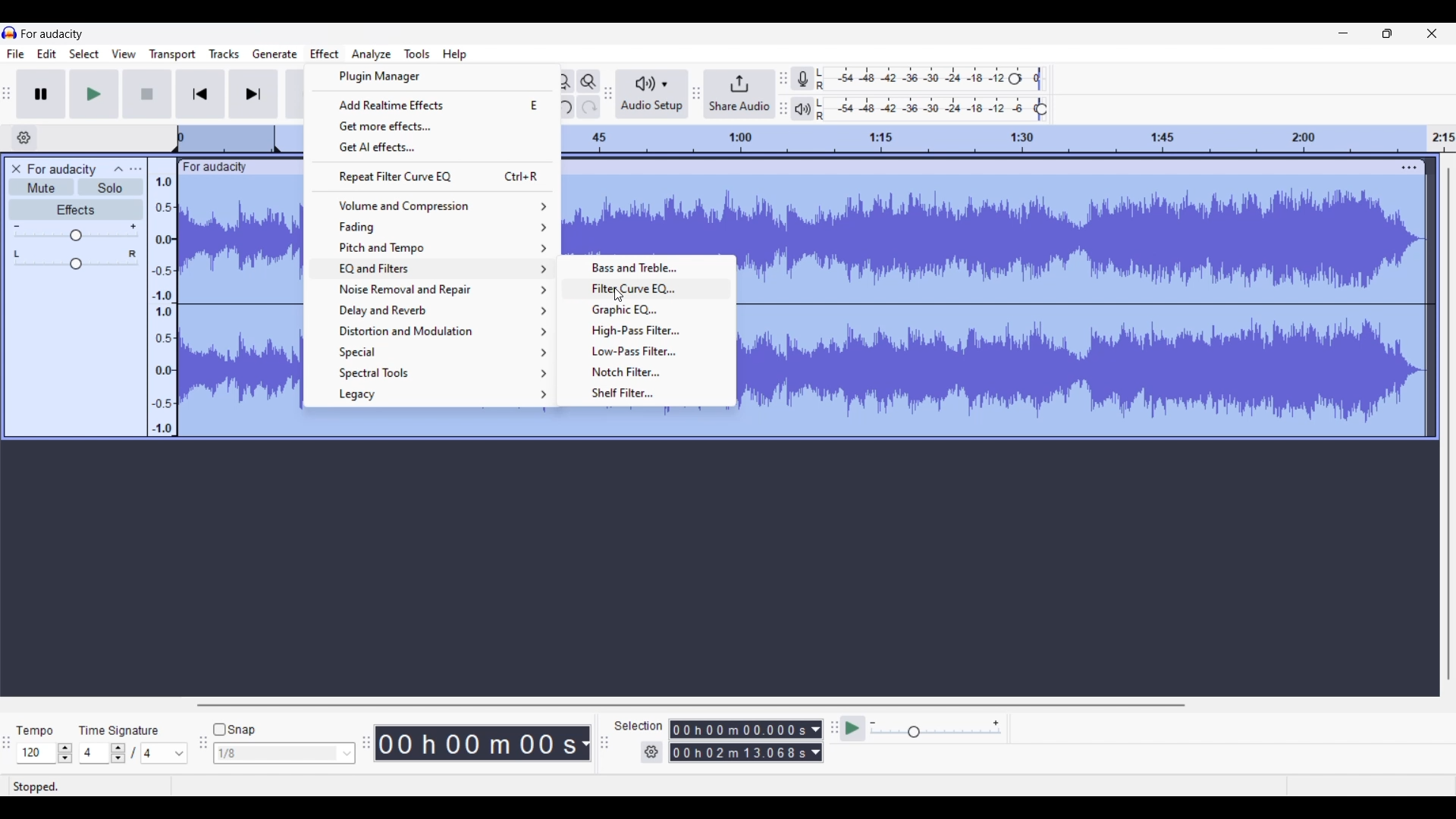  Describe the element at coordinates (585, 744) in the screenshot. I see `Audio record duration` at that location.